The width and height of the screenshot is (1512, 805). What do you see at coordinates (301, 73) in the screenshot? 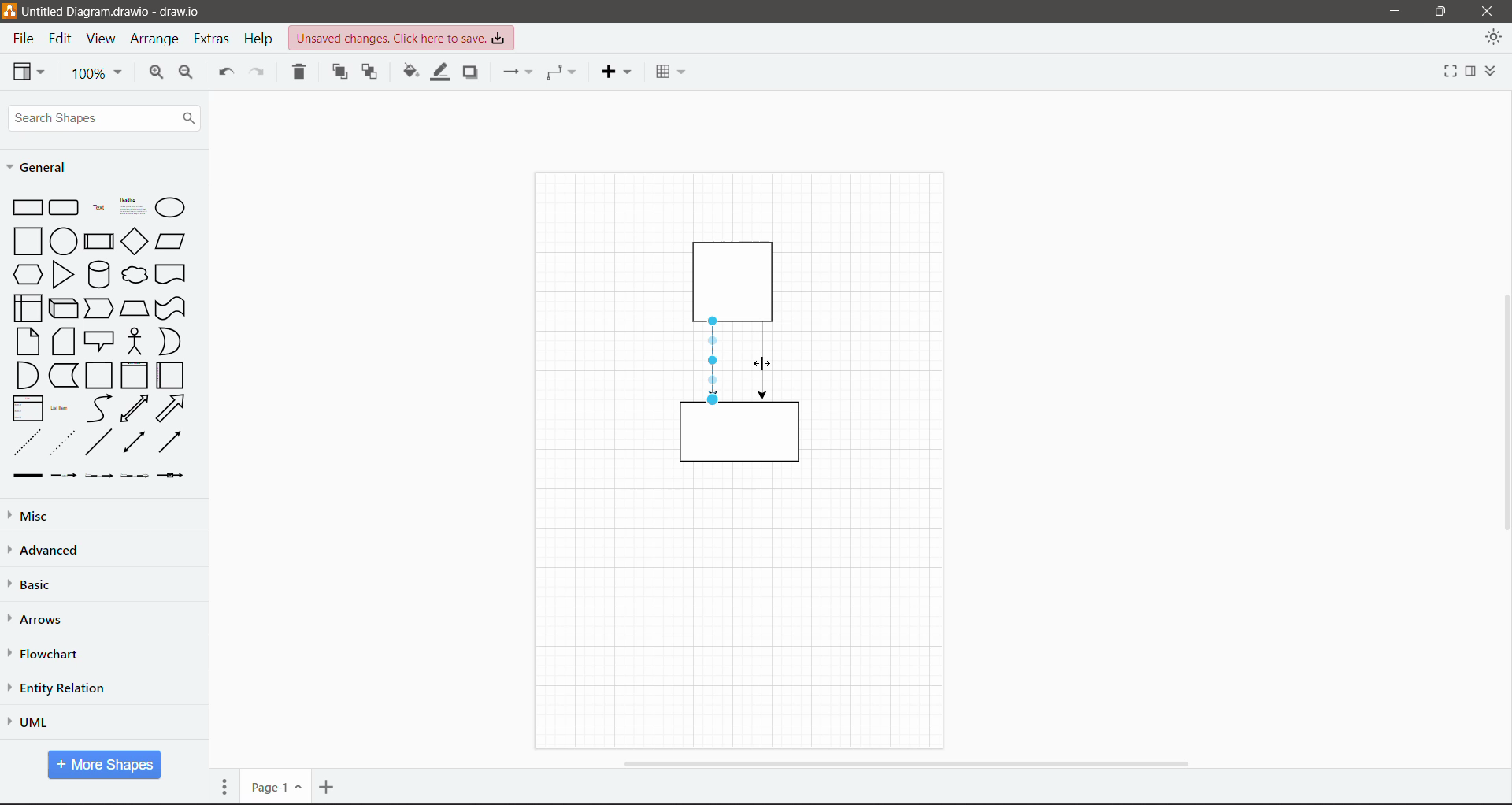
I see `Delete` at bounding box center [301, 73].